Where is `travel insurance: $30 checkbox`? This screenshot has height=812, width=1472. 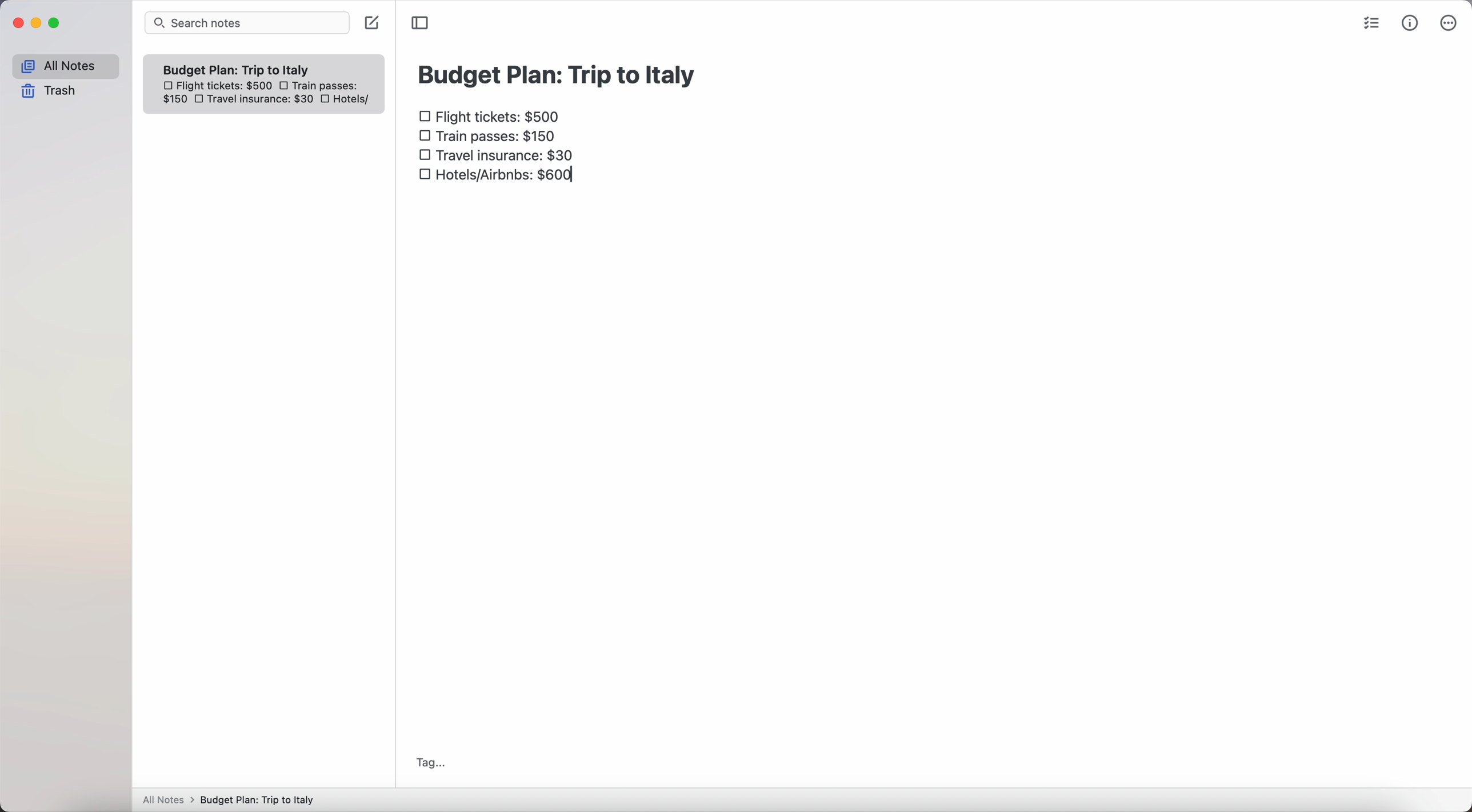 travel insurance: $30 checkbox is located at coordinates (498, 155).